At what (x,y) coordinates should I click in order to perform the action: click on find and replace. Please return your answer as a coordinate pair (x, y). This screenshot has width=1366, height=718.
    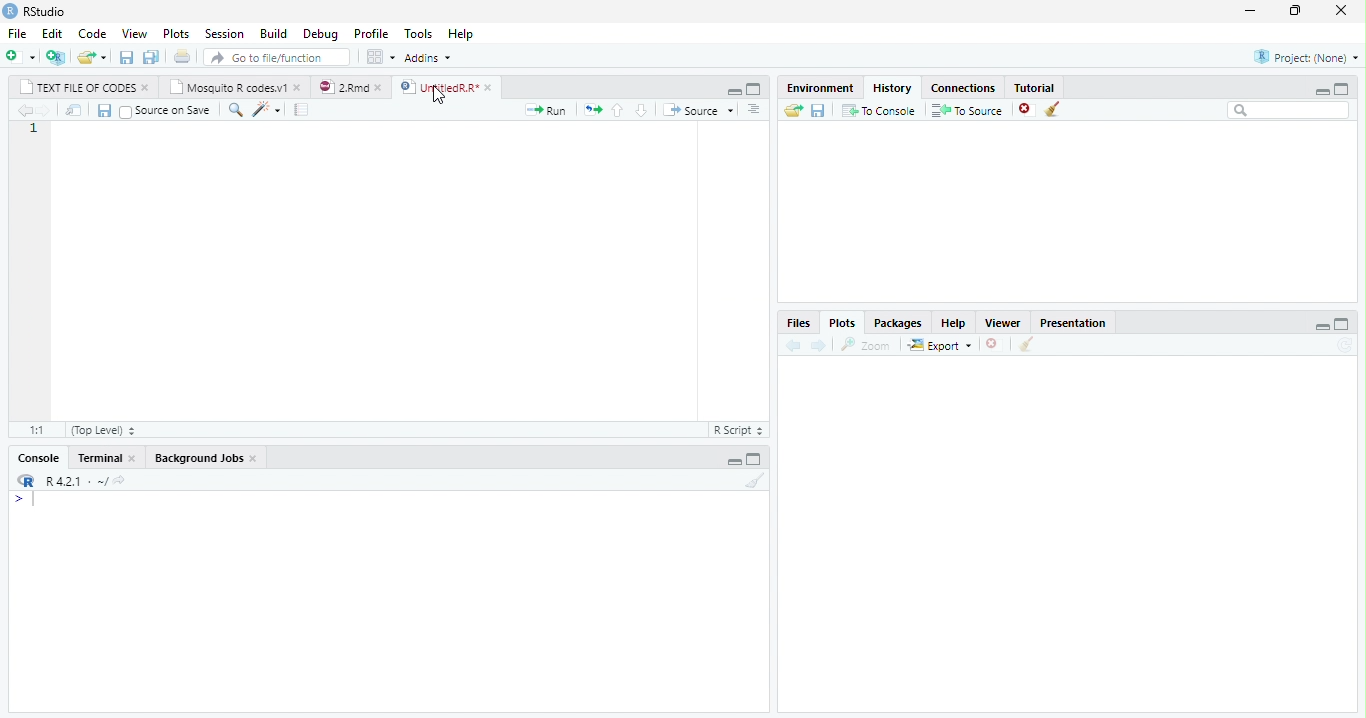
    Looking at the image, I should click on (234, 109).